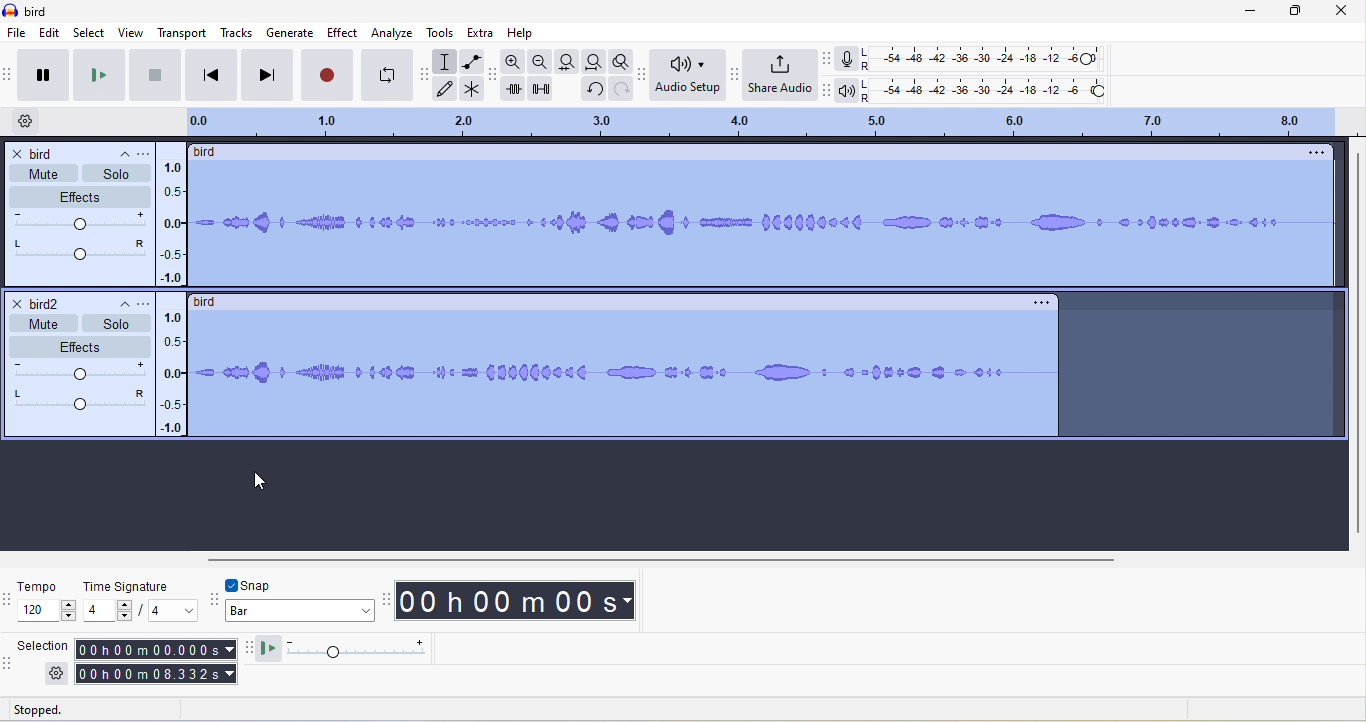  Describe the element at coordinates (39, 323) in the screenshot. I see `mute` at that location.